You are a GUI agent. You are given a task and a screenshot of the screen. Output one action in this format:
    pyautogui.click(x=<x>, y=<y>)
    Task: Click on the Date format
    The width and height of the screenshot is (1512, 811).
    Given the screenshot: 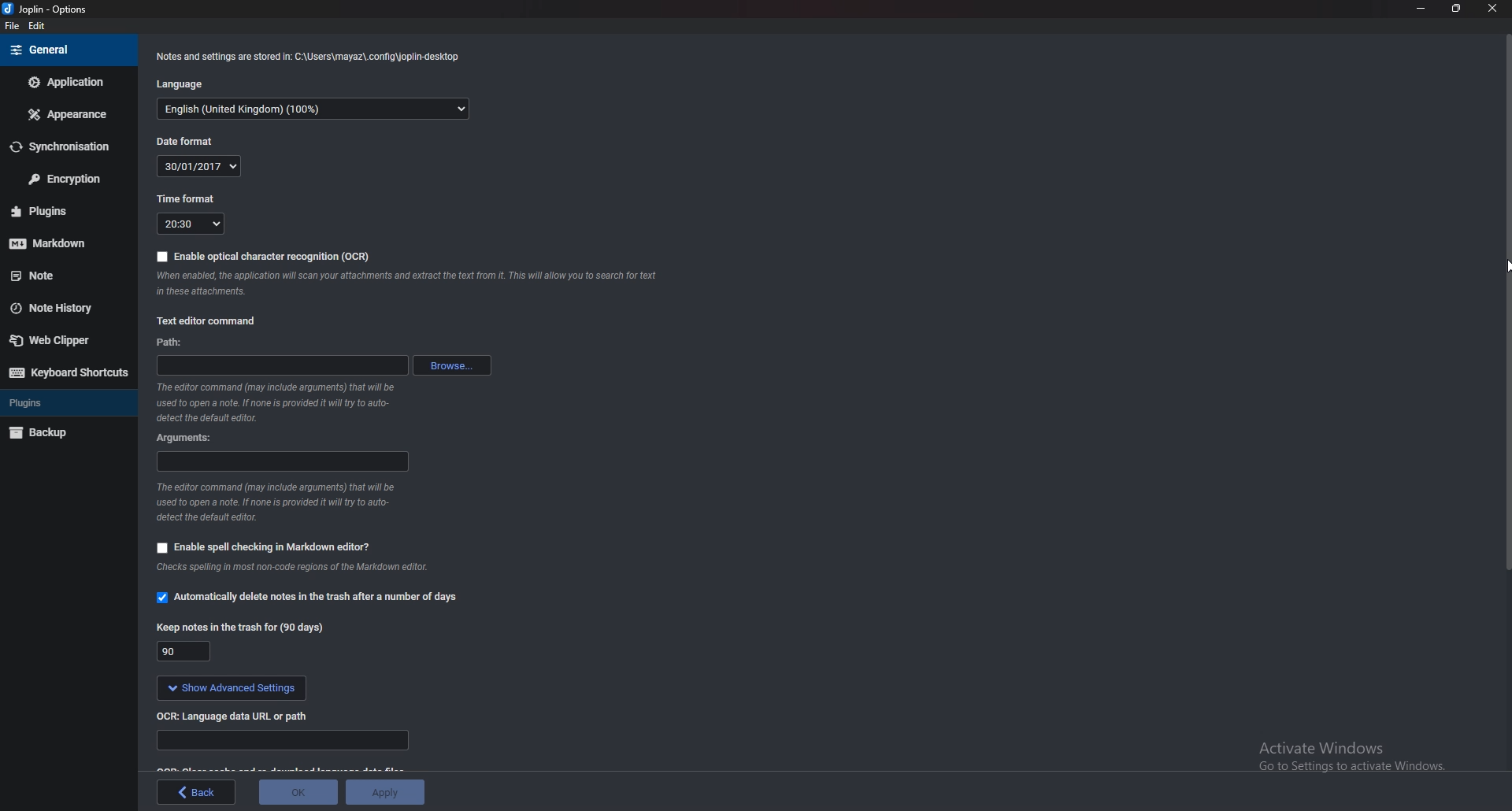 What is the action you would take?
    pyautogui.click(x=198, y=166)
    